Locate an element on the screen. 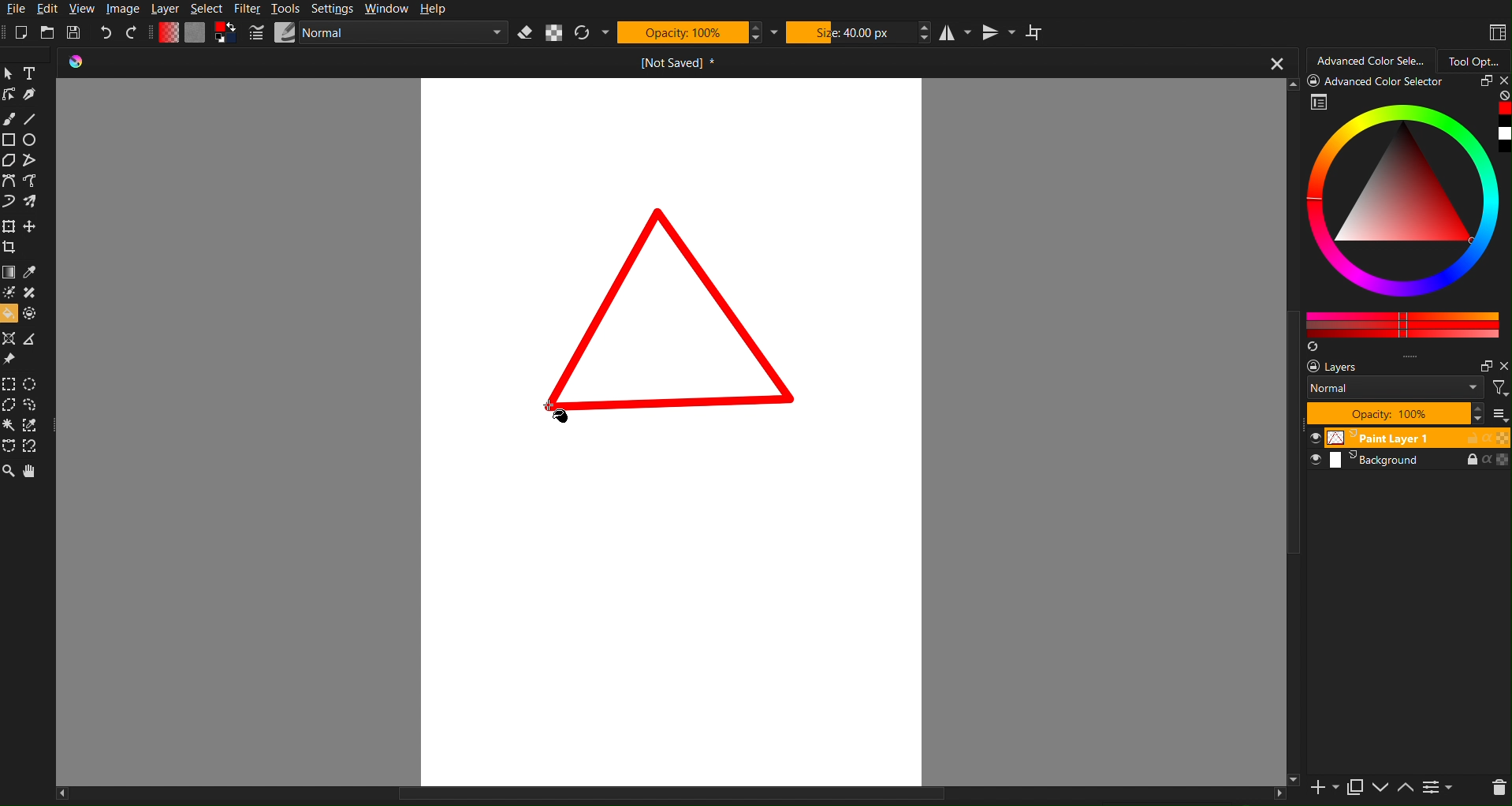  Refresh is located at coordinates (583, 33).